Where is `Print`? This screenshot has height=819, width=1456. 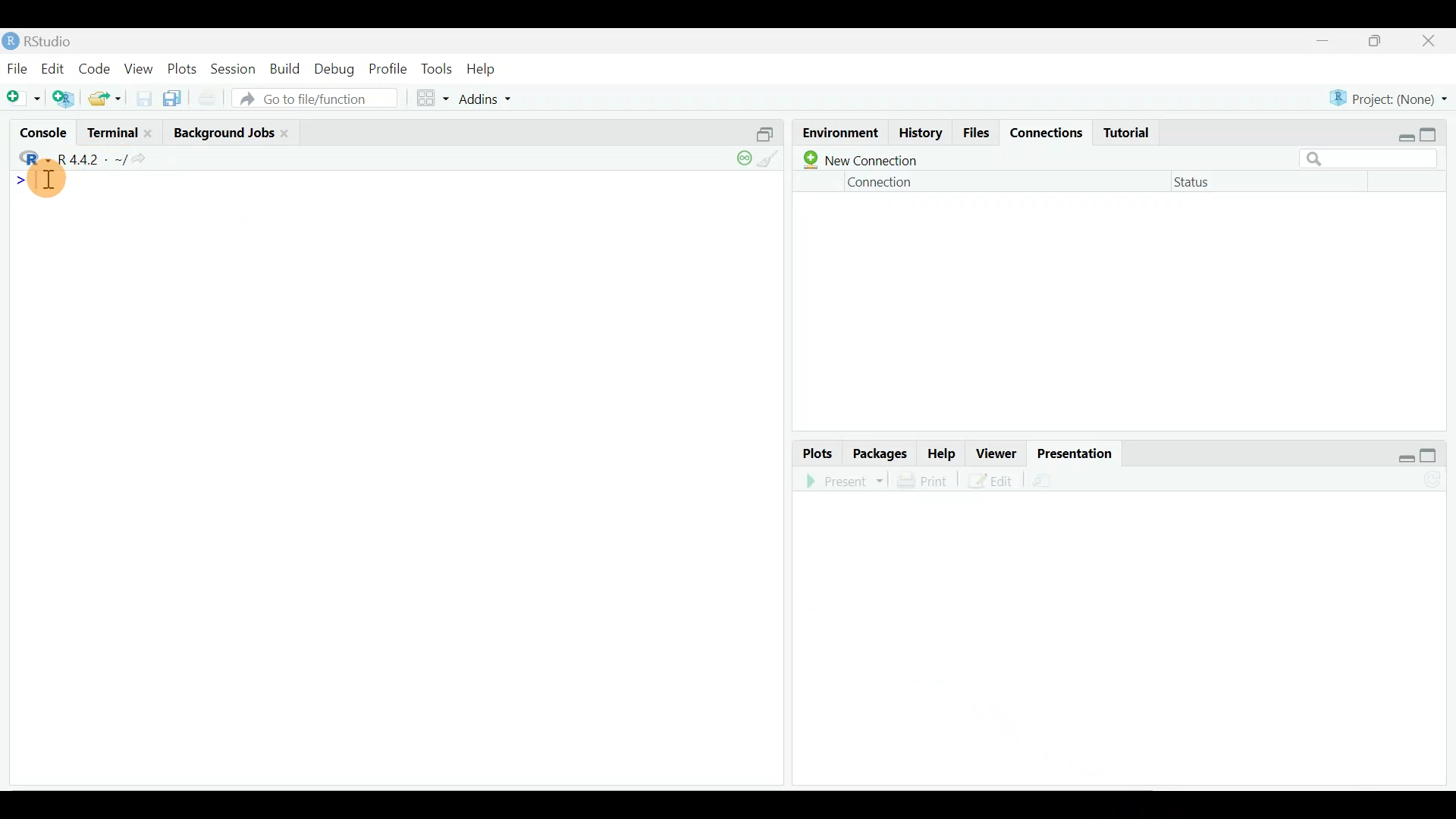 Print is located at coordinates (924, 477).